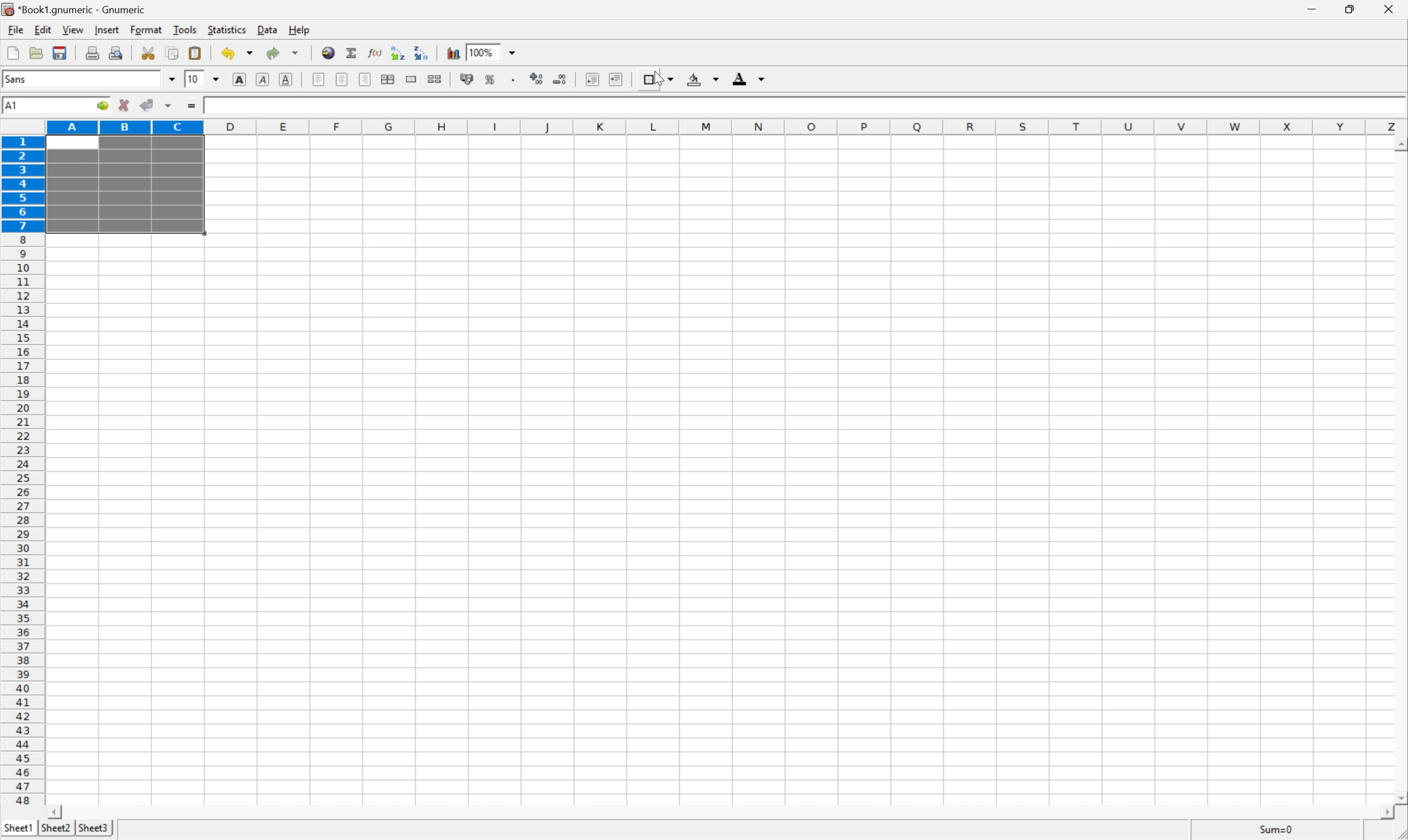 The width and height of the screenshot is (1408, 840). What do you see at coordinates (195, 52) in the screenshot?
I see `paste` at bounding box center [195, 52].